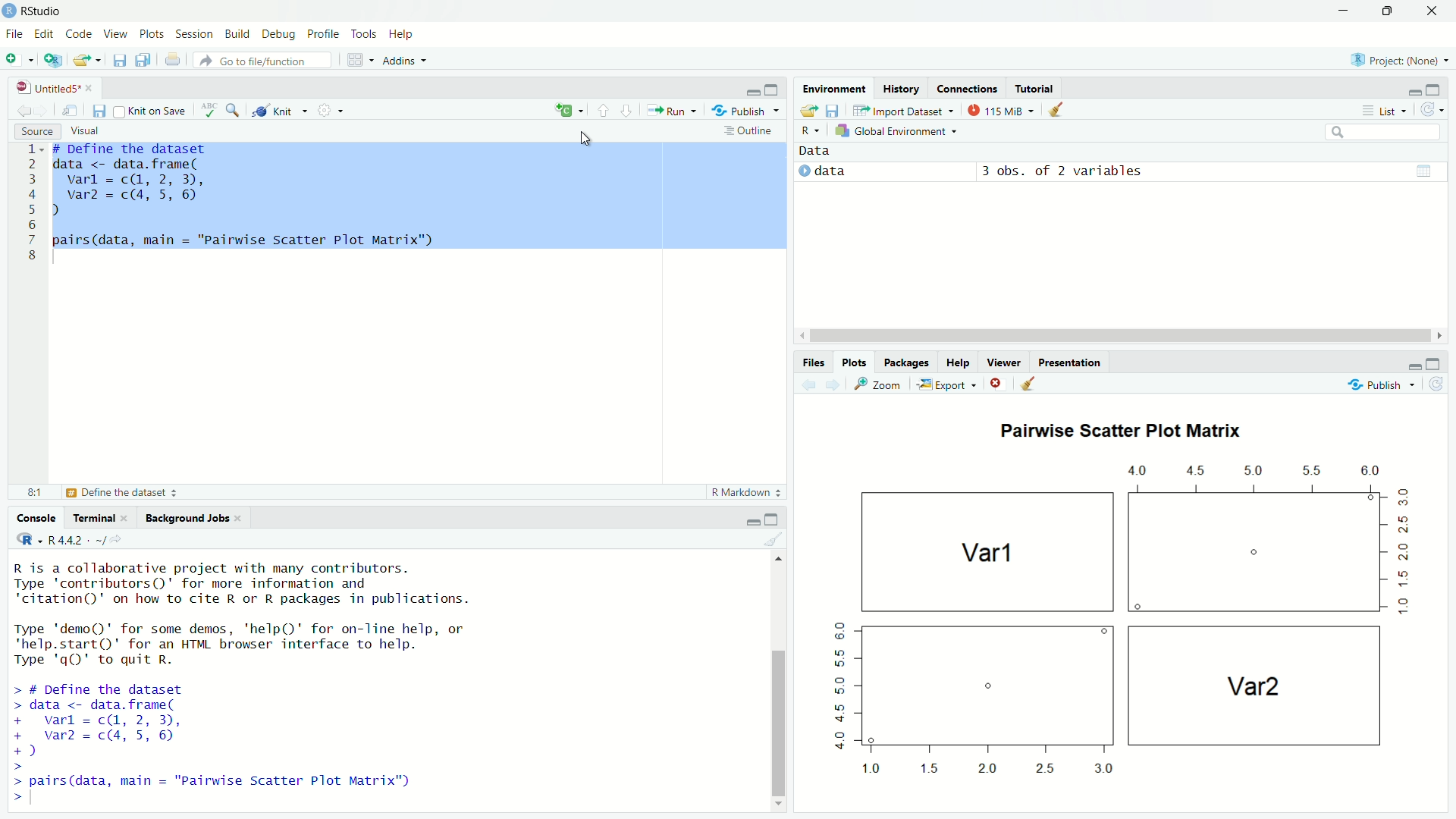  Describe the element at coordinates (26, 538) in the screenshot. I see `R` at that location.